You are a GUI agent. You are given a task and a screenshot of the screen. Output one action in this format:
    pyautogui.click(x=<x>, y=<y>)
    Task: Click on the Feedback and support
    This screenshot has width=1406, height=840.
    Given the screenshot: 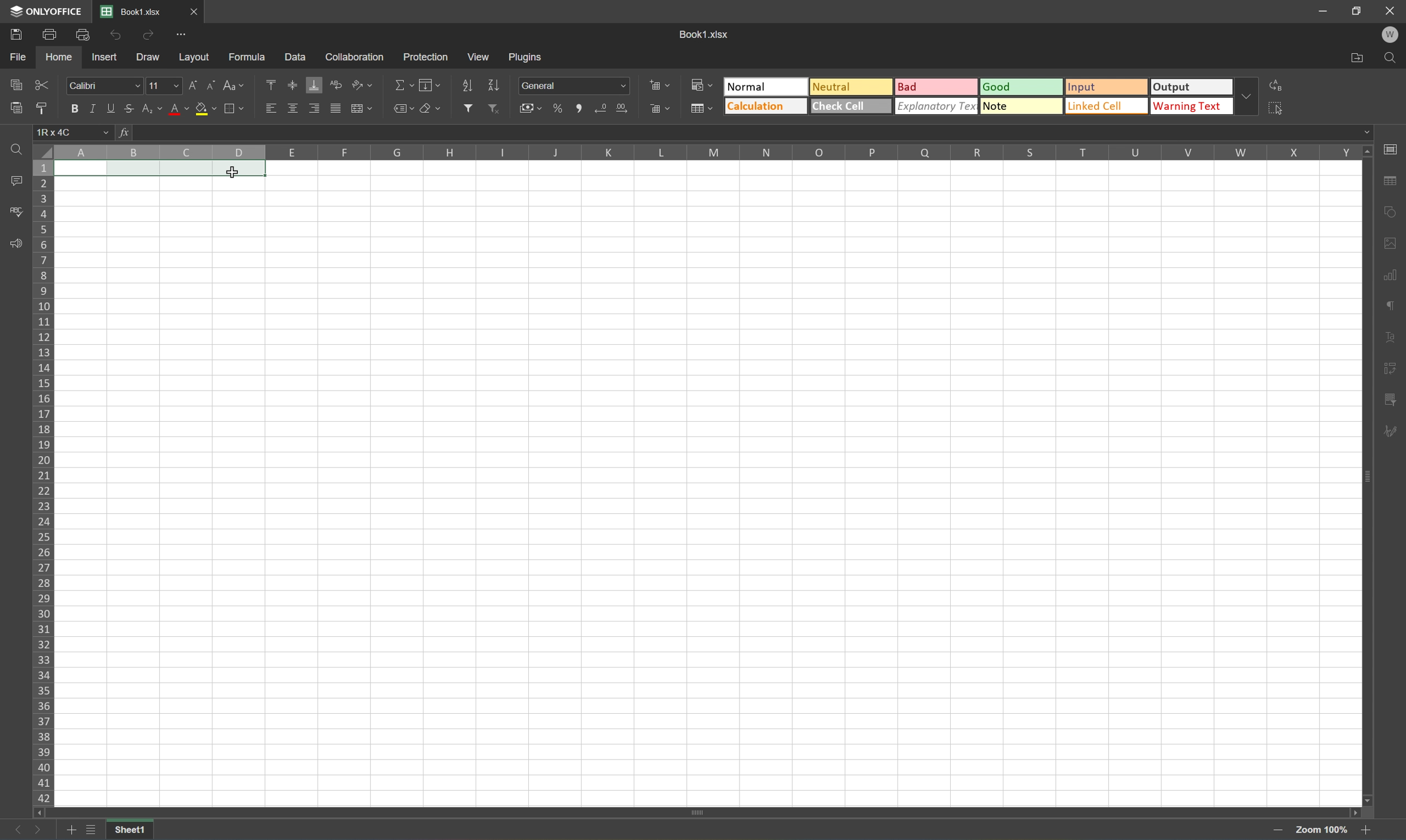 What is the action you would take?
    pyautogui.click(x=16, y=243)
    